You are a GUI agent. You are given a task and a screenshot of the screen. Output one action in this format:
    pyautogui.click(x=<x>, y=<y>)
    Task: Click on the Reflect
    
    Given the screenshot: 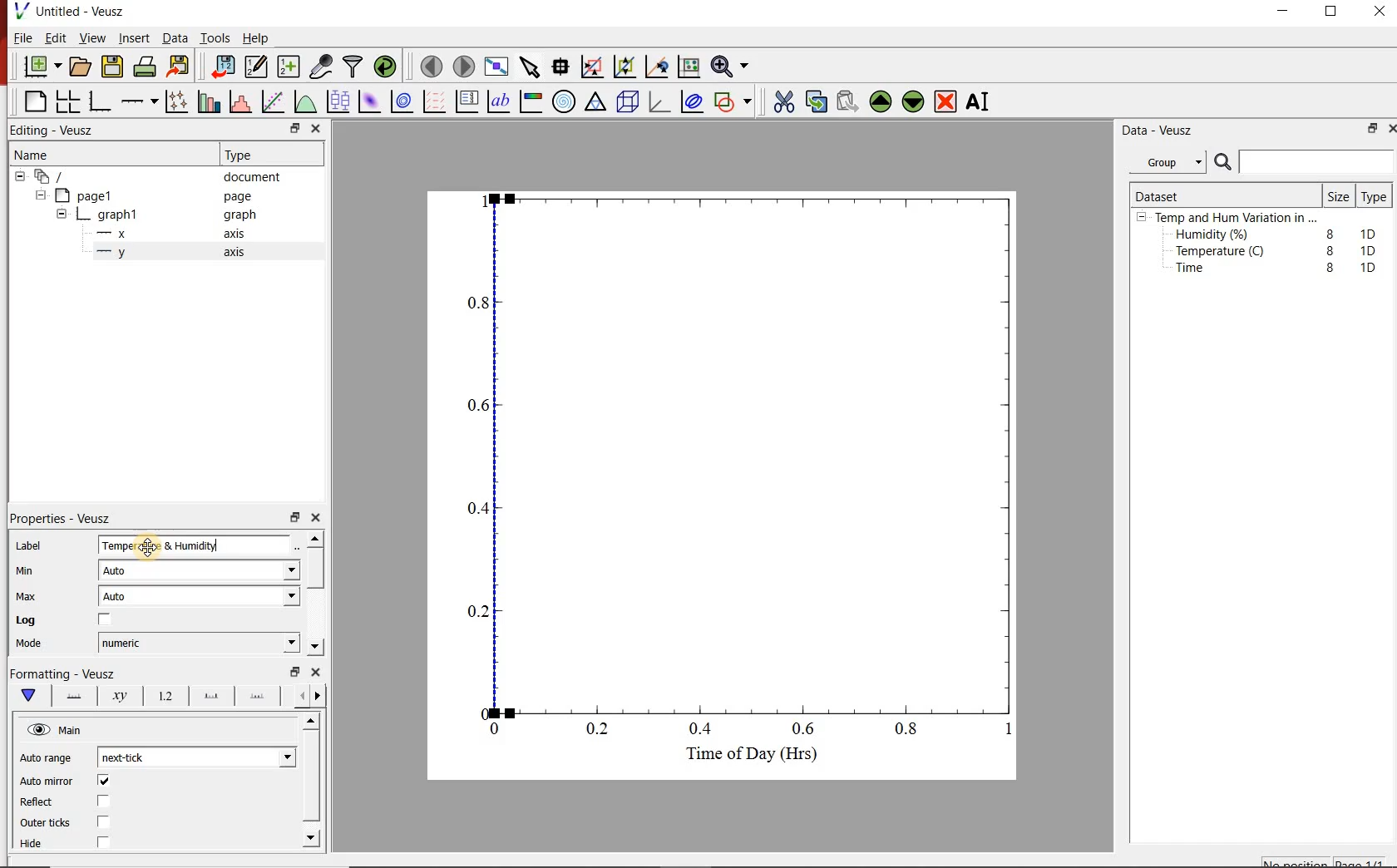 What is the action you would take?
    pyautogui.click(x=72, y=802)
    